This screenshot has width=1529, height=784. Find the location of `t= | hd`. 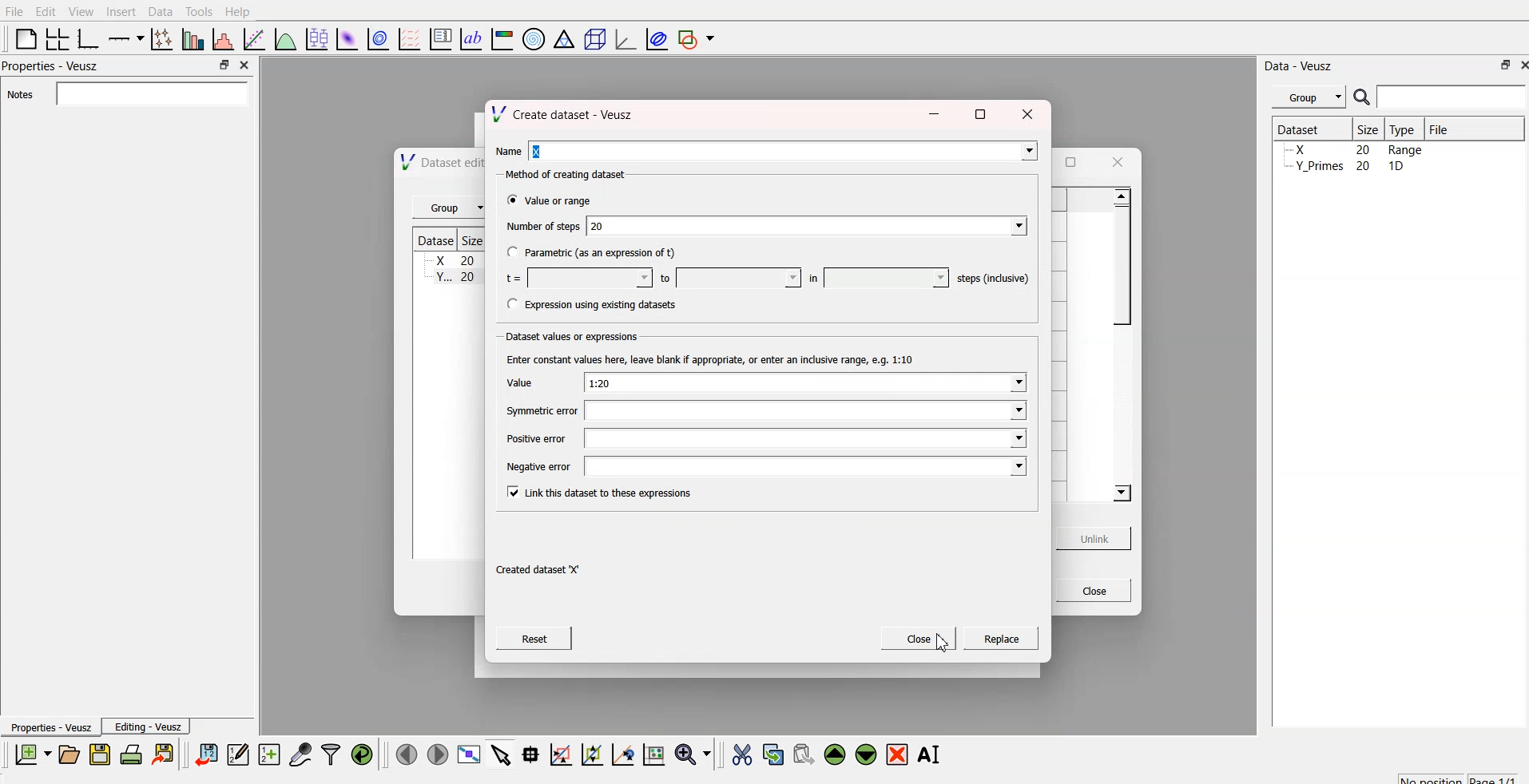

t= | hd is located at coordinates (574, 280).